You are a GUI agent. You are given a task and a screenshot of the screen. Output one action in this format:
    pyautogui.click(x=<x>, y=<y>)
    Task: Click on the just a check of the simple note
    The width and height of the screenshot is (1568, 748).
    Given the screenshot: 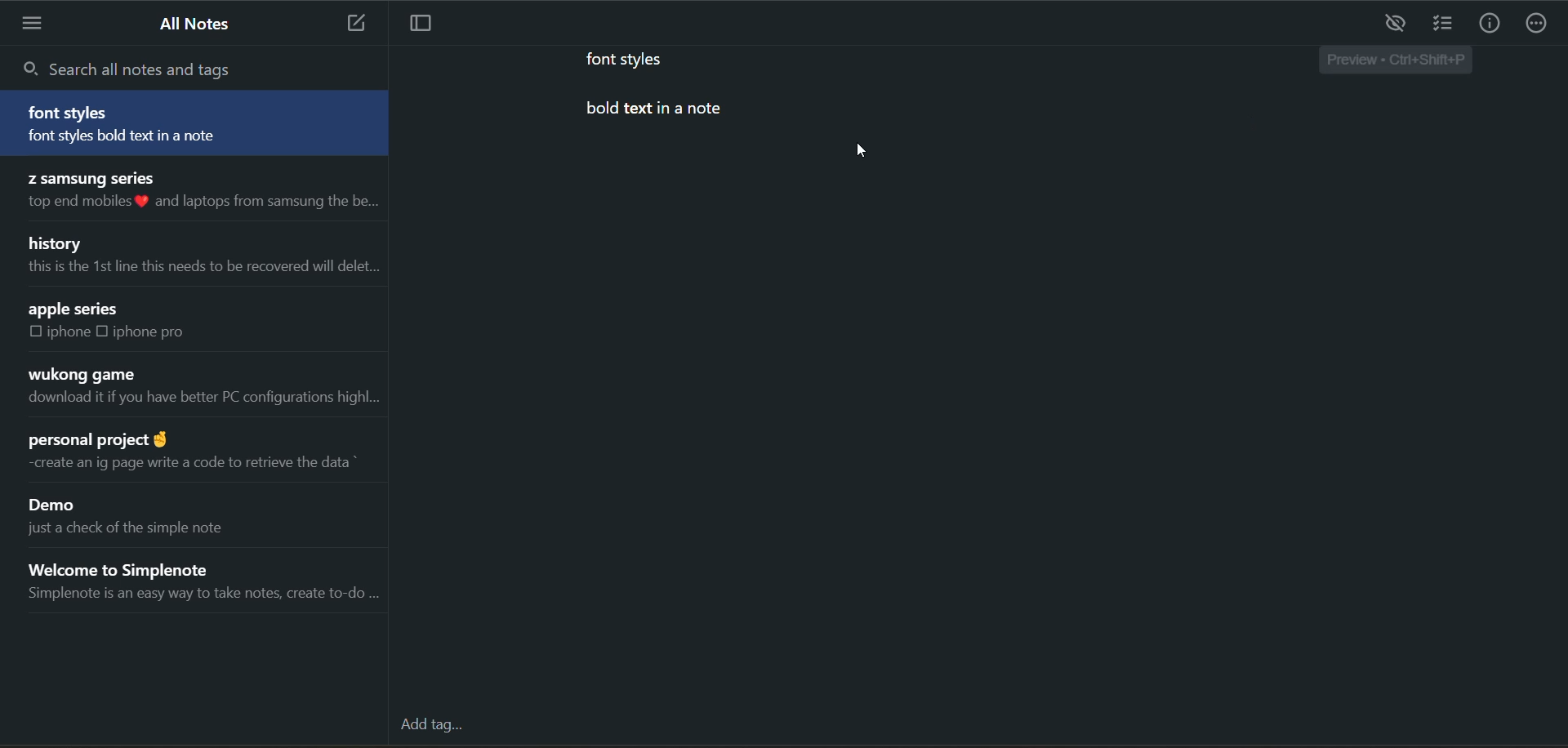 What is the action you would take?
    pyautogui.click(x=141, y=532)
    